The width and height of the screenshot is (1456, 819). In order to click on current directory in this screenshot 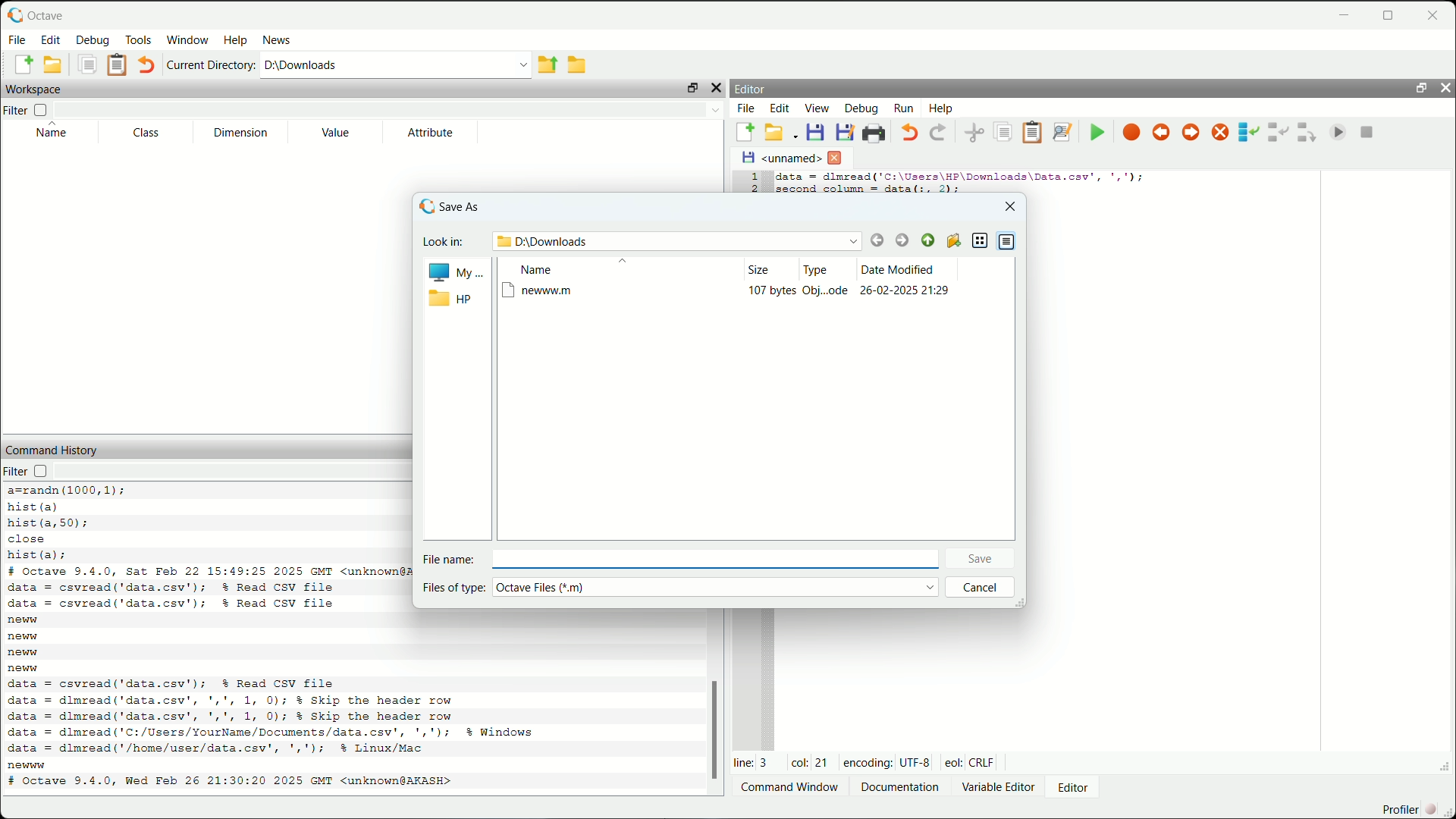, I will do `click(211, 66)`.